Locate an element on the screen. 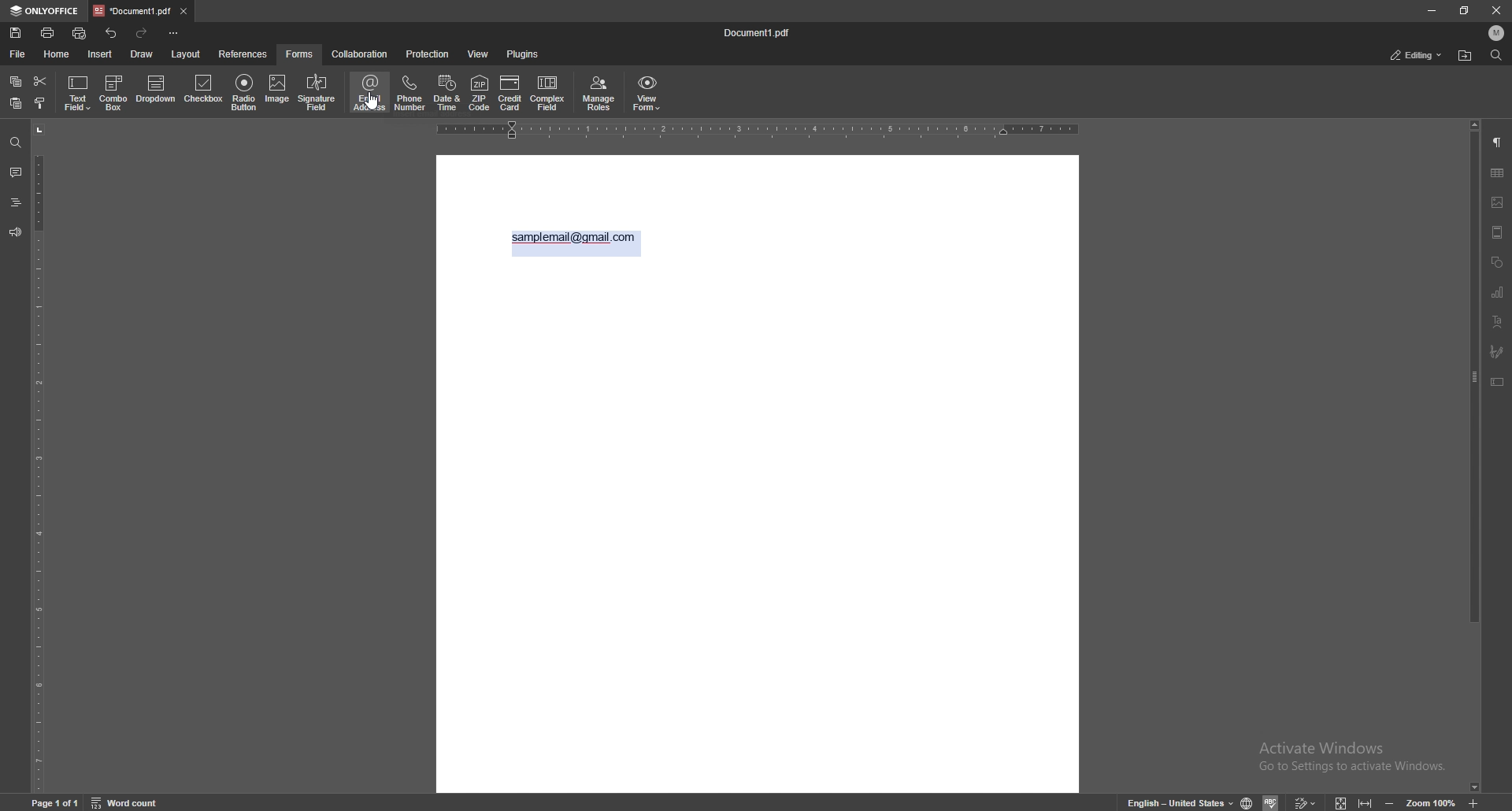  file is located at coordinates (17, 54).